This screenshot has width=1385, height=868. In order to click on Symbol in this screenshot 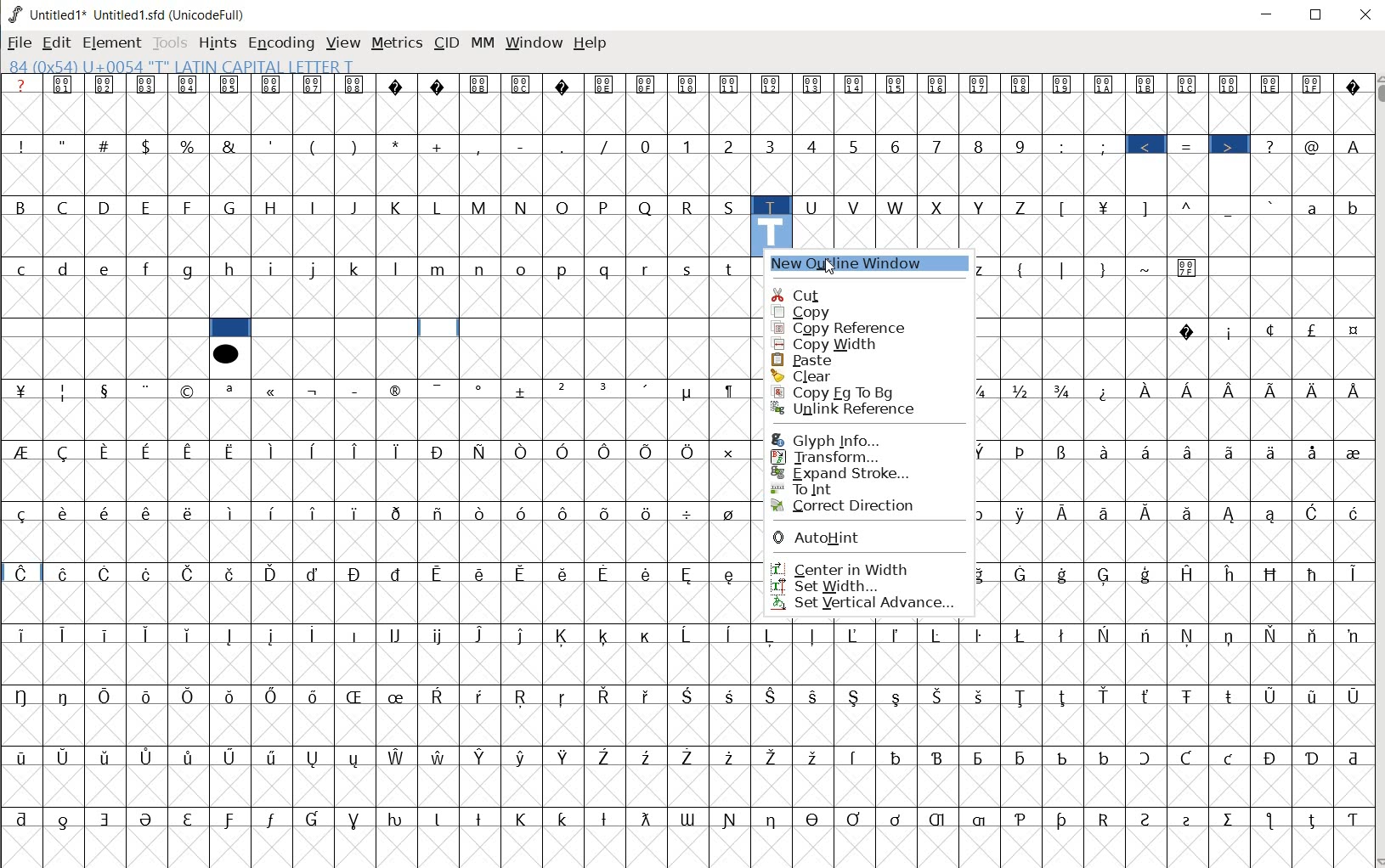, I will do `click(190, 757)`.